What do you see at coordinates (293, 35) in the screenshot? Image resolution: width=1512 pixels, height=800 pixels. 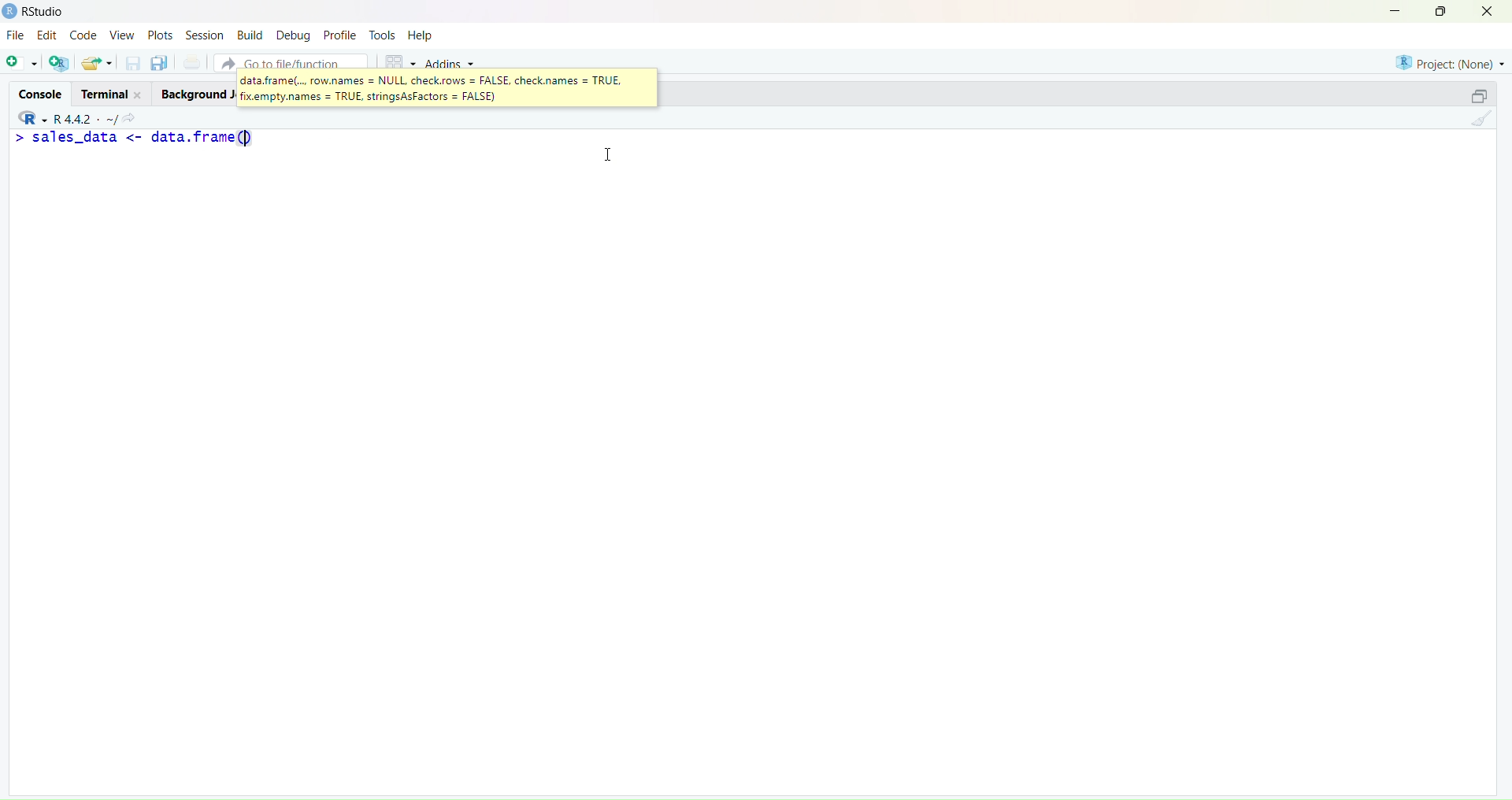 I see `Debug` at bounding box center [293, 35].